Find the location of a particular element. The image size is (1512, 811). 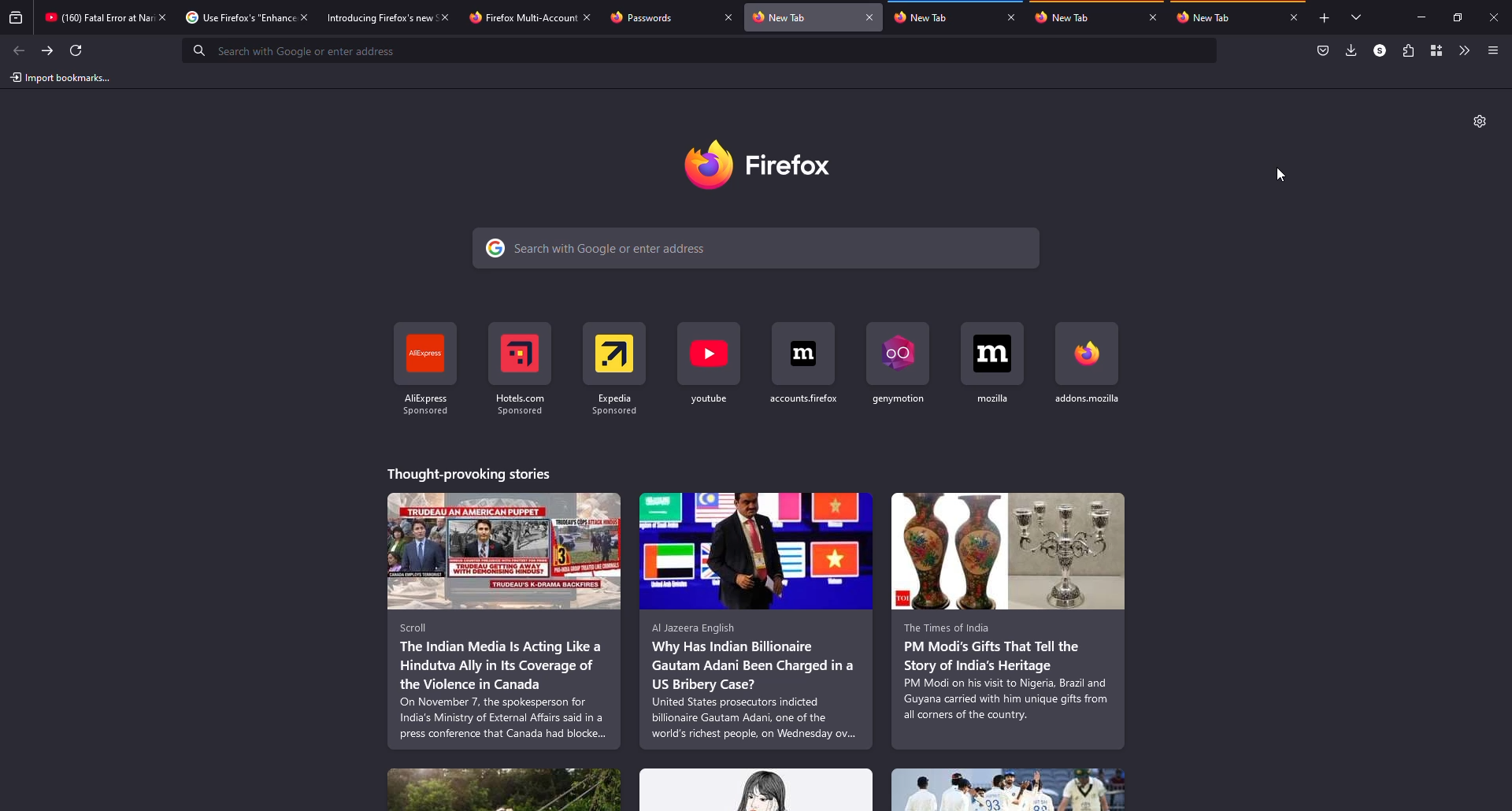

scroll bar is located at coordinates (1506, 203).